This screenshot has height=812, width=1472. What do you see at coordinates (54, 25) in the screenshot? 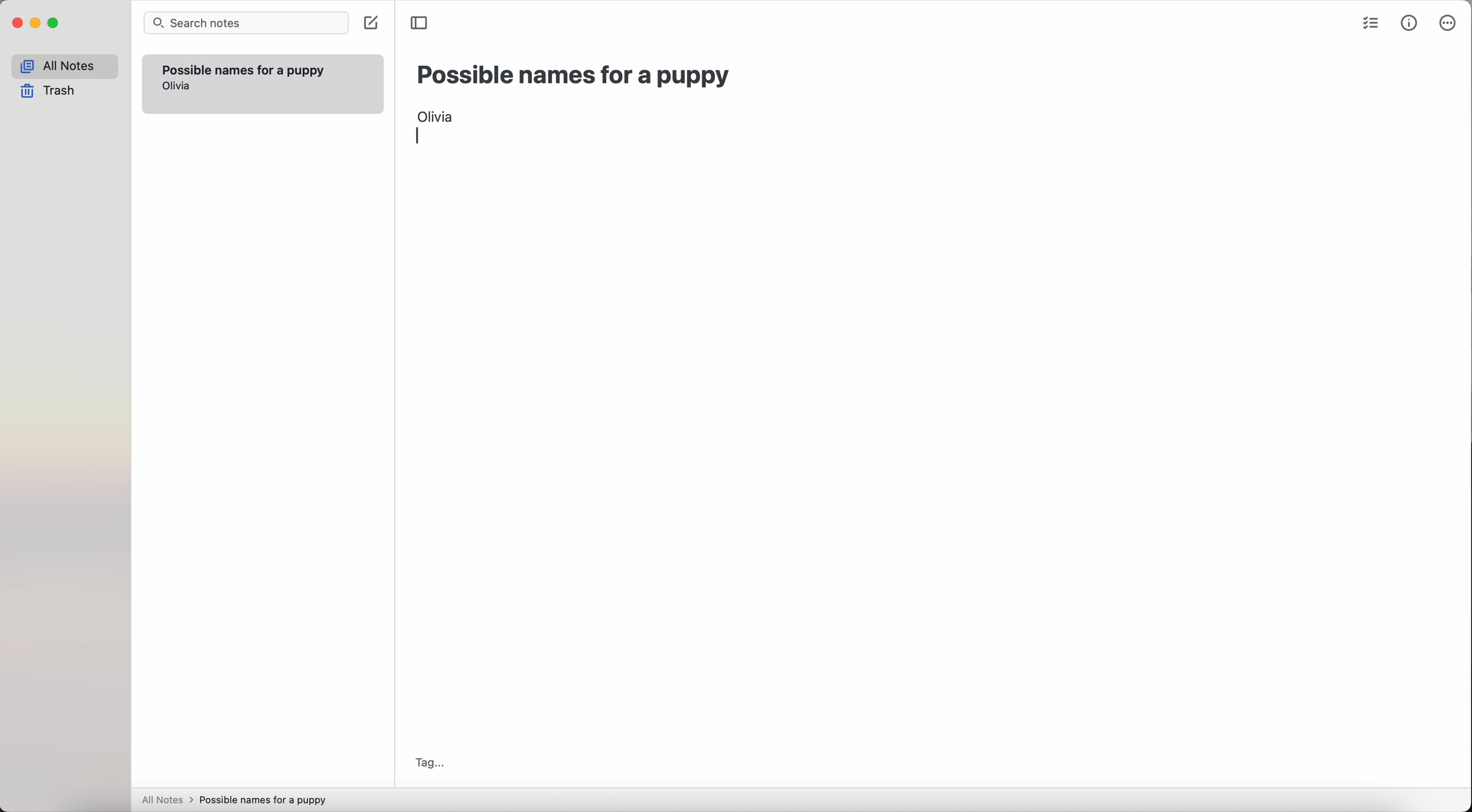
I see `maximize` at bounding box center [54, 25].